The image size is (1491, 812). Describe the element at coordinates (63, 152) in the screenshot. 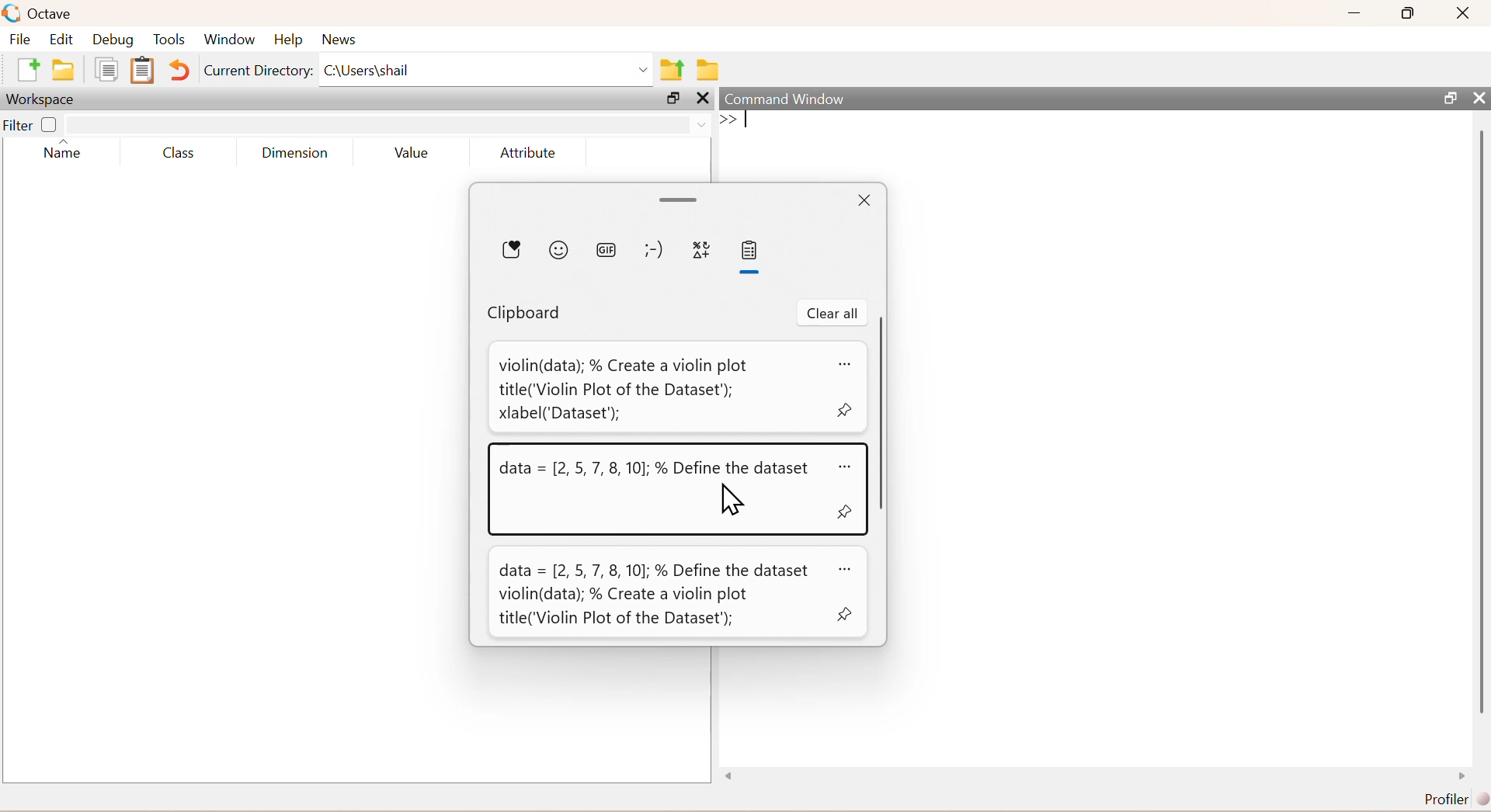

I see `name` at that location.